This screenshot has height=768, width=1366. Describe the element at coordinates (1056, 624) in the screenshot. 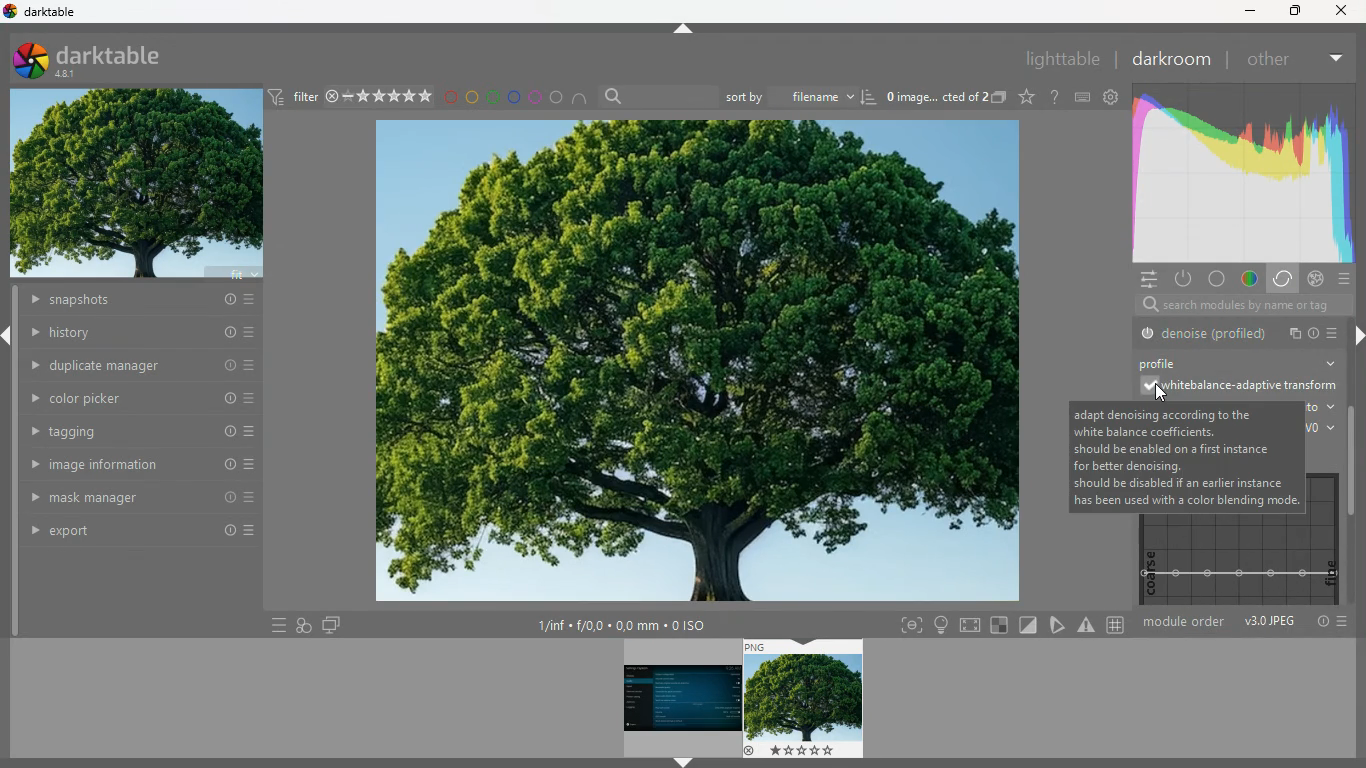

I see `tag` at that location.